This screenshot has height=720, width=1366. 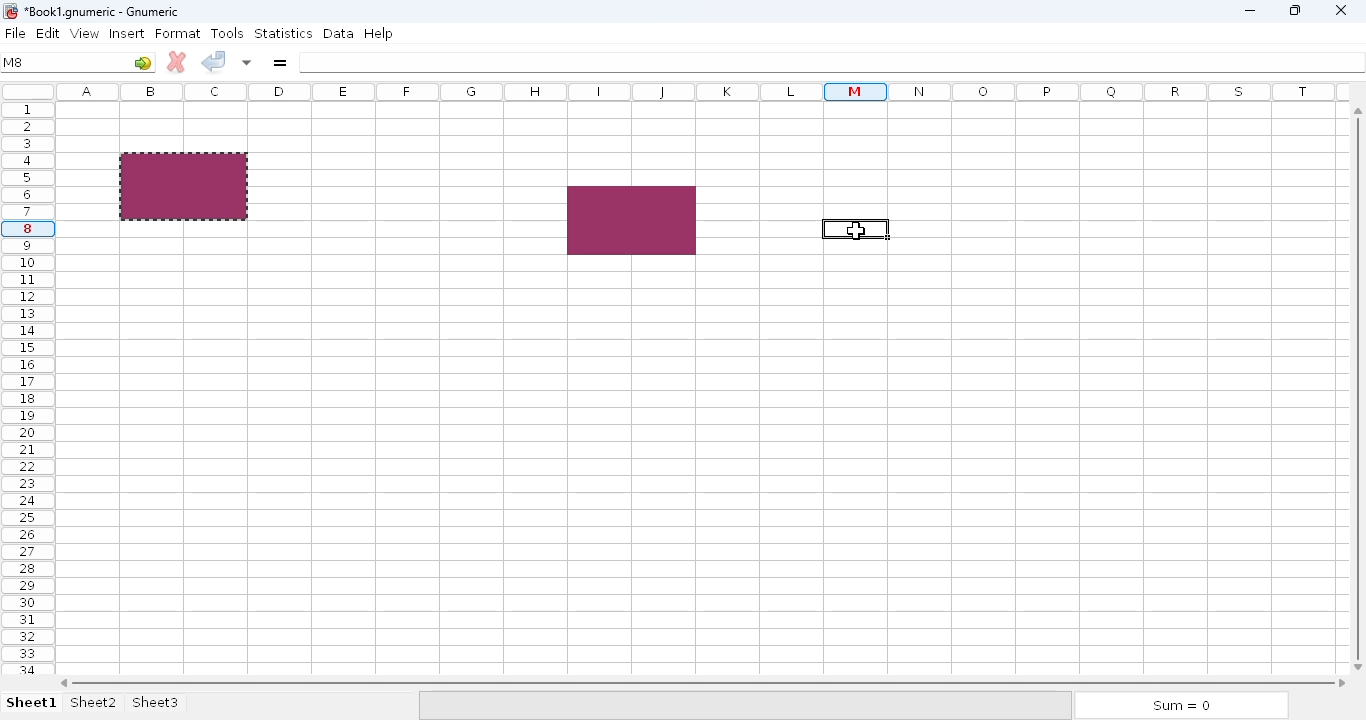 I want to click on M8, so click(x=12, y=63).